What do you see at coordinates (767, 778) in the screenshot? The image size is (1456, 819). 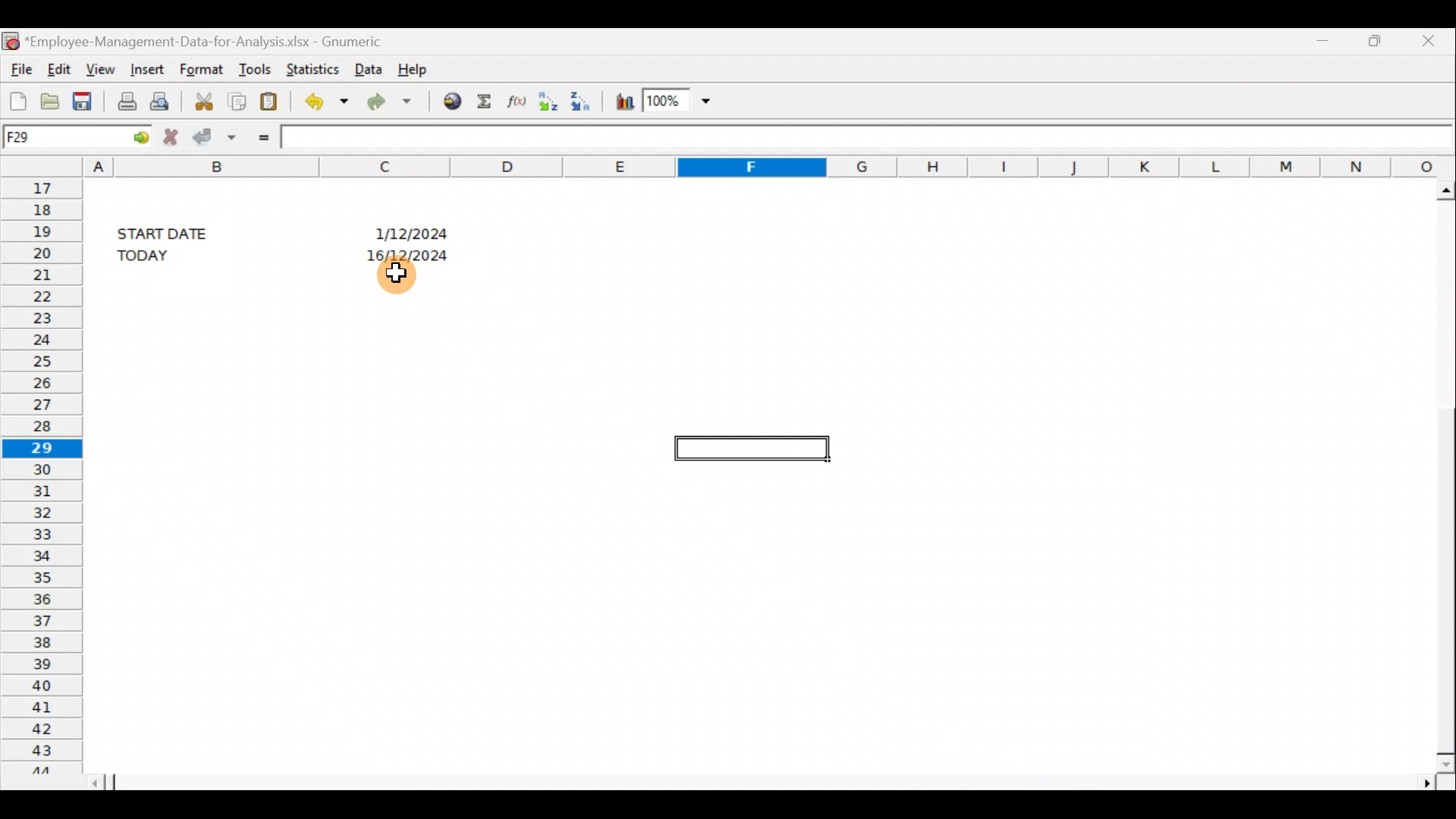 I see `Scroll bar` at bounding box center [767, 778].